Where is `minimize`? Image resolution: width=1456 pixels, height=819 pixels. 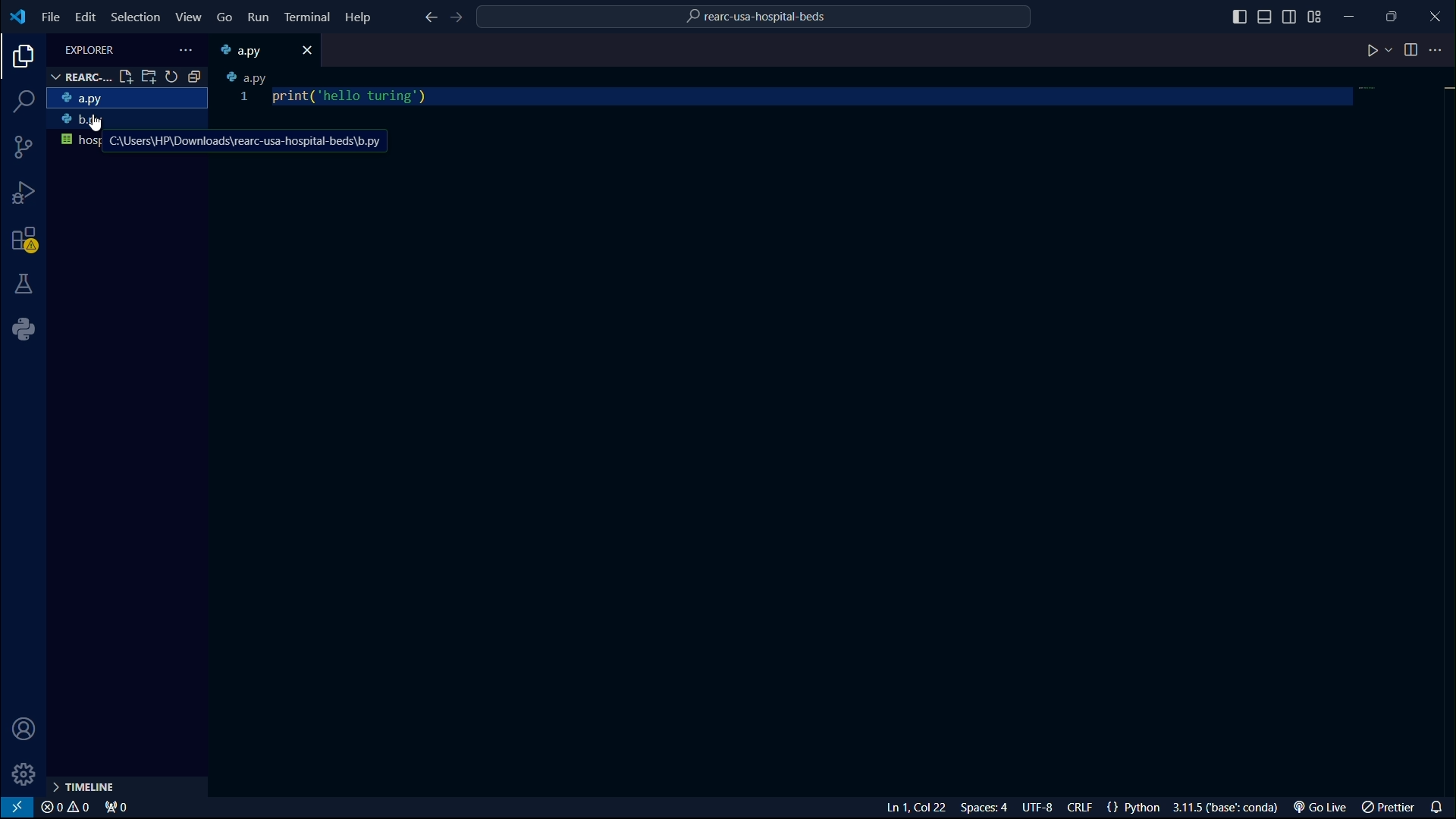 minimize is located at coordinates (1359, 15).